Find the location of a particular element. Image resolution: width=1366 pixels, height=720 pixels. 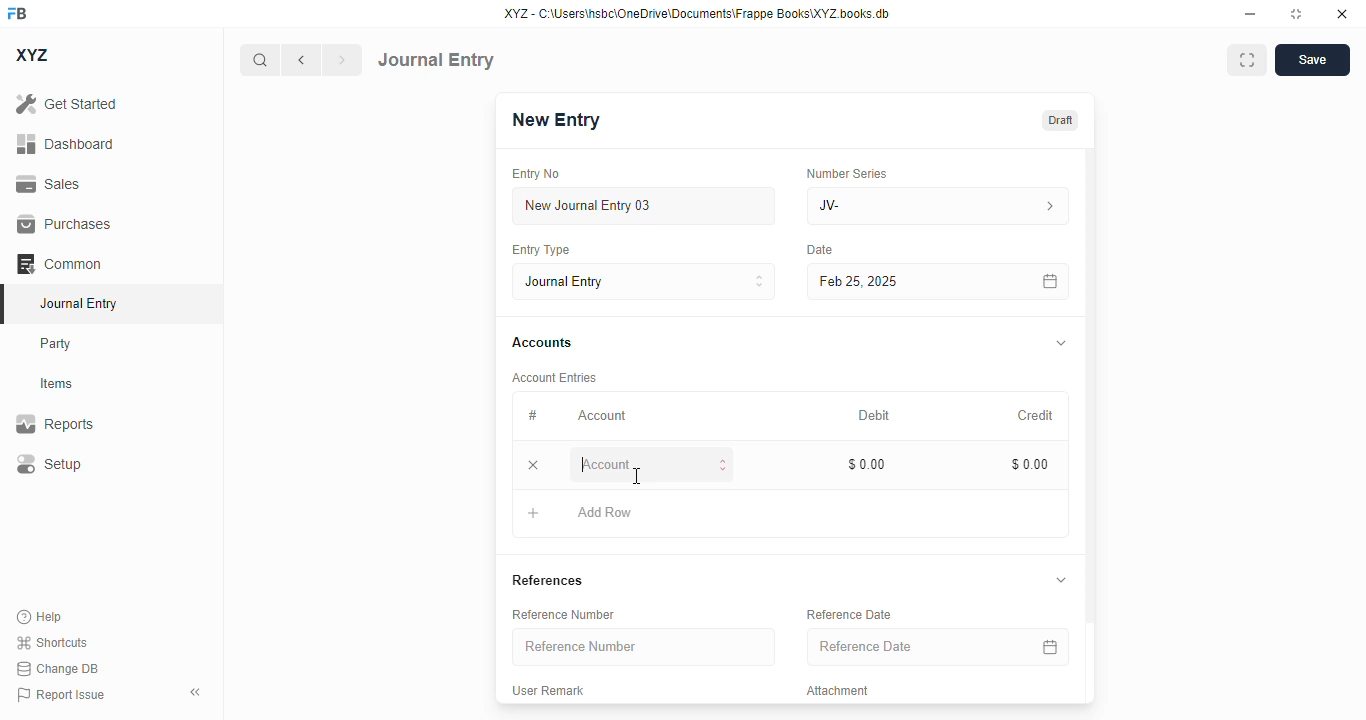

references is located at coordinates (547, 580).